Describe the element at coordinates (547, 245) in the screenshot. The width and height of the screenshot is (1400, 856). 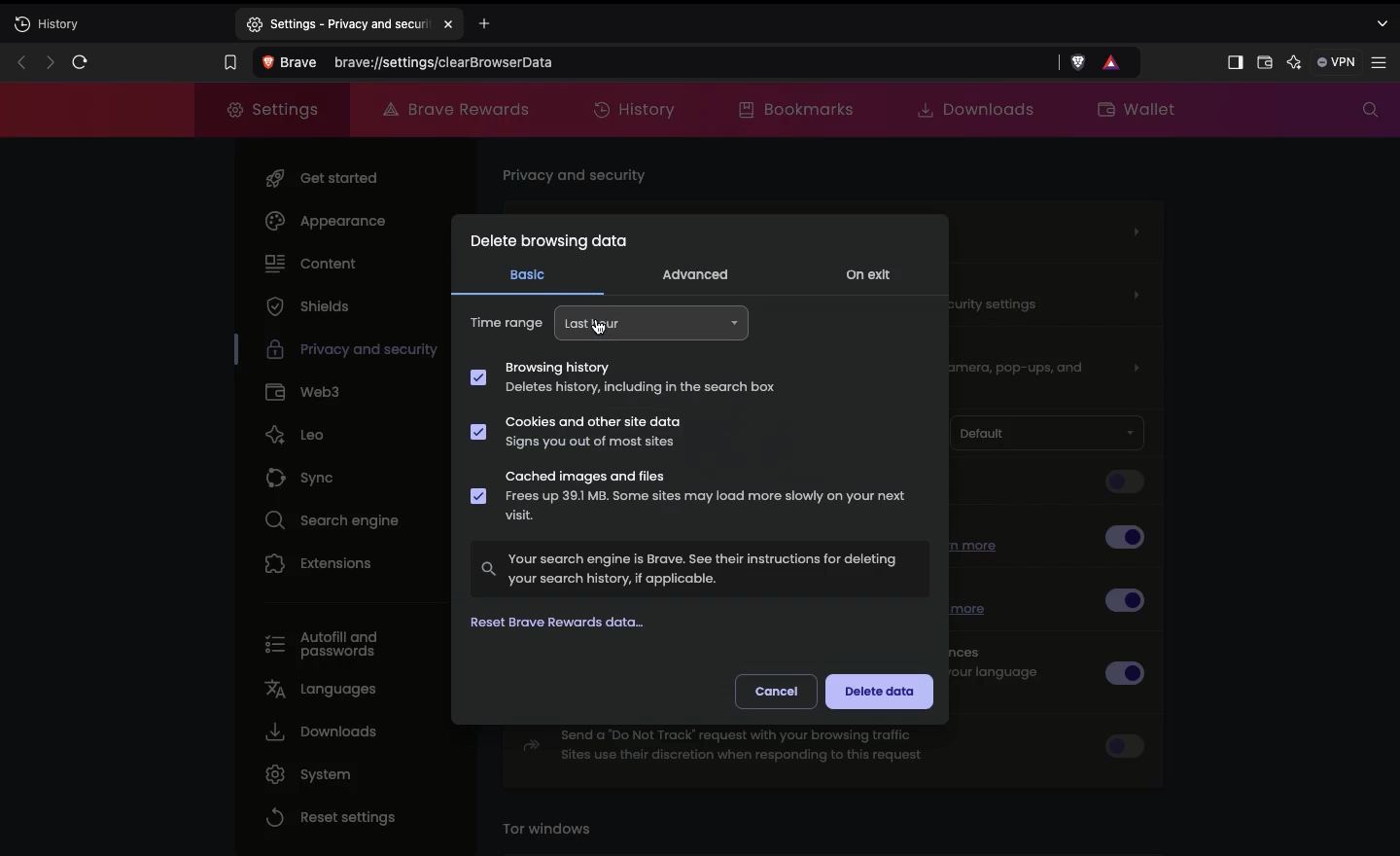
I see `Delete browsing data` at that location.